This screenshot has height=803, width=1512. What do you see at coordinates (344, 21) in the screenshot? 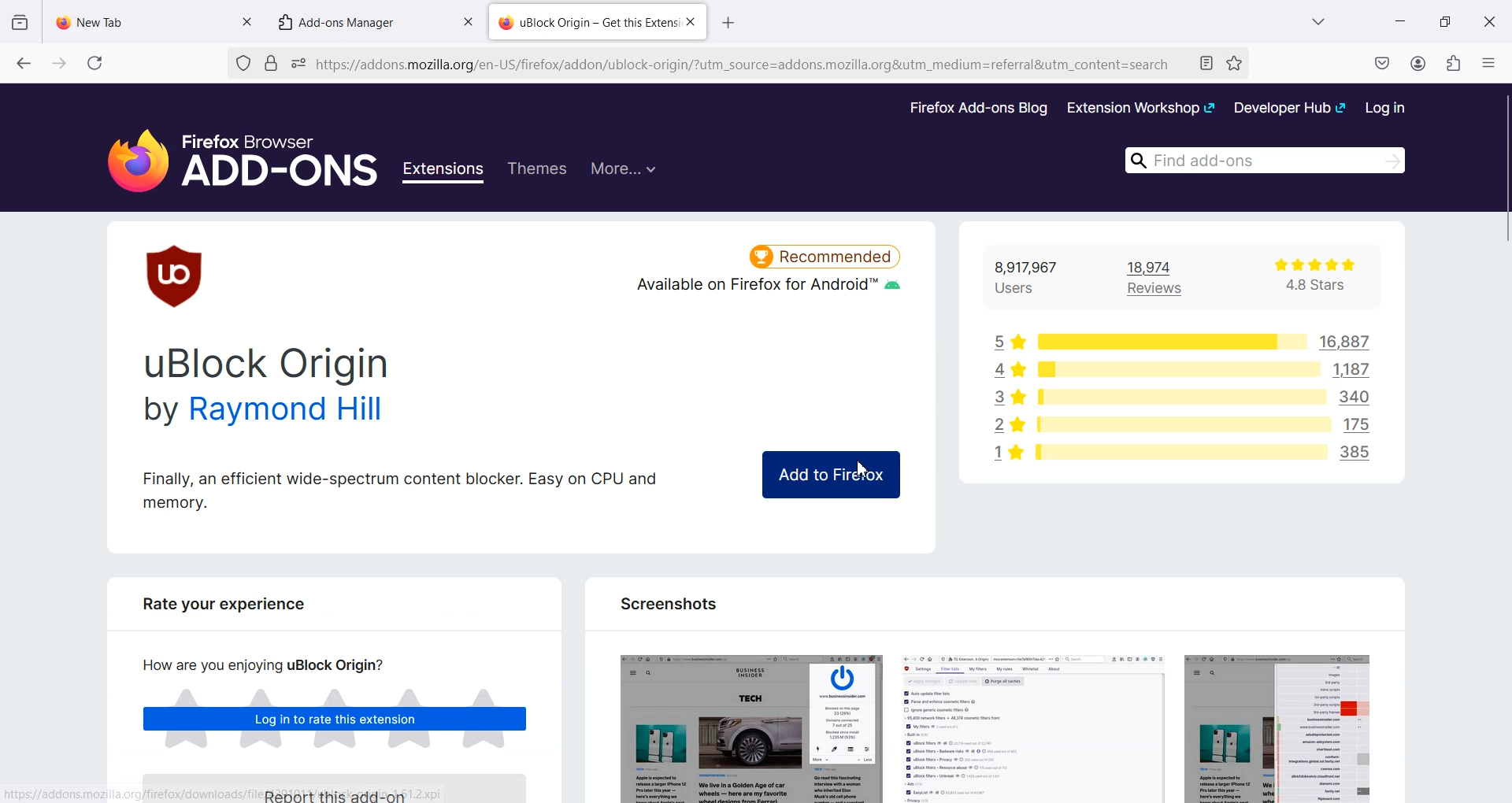
I see `Add-ons Manager` at bounding box center [344, 21].